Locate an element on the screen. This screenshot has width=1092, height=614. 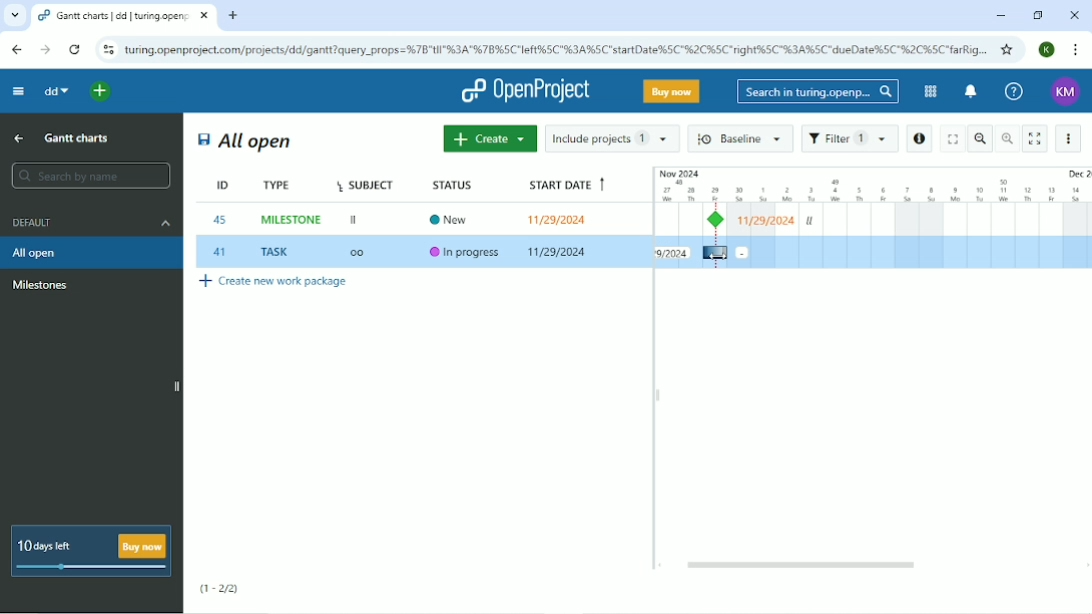
11/29/2024 is located at coordinates (559, 253).